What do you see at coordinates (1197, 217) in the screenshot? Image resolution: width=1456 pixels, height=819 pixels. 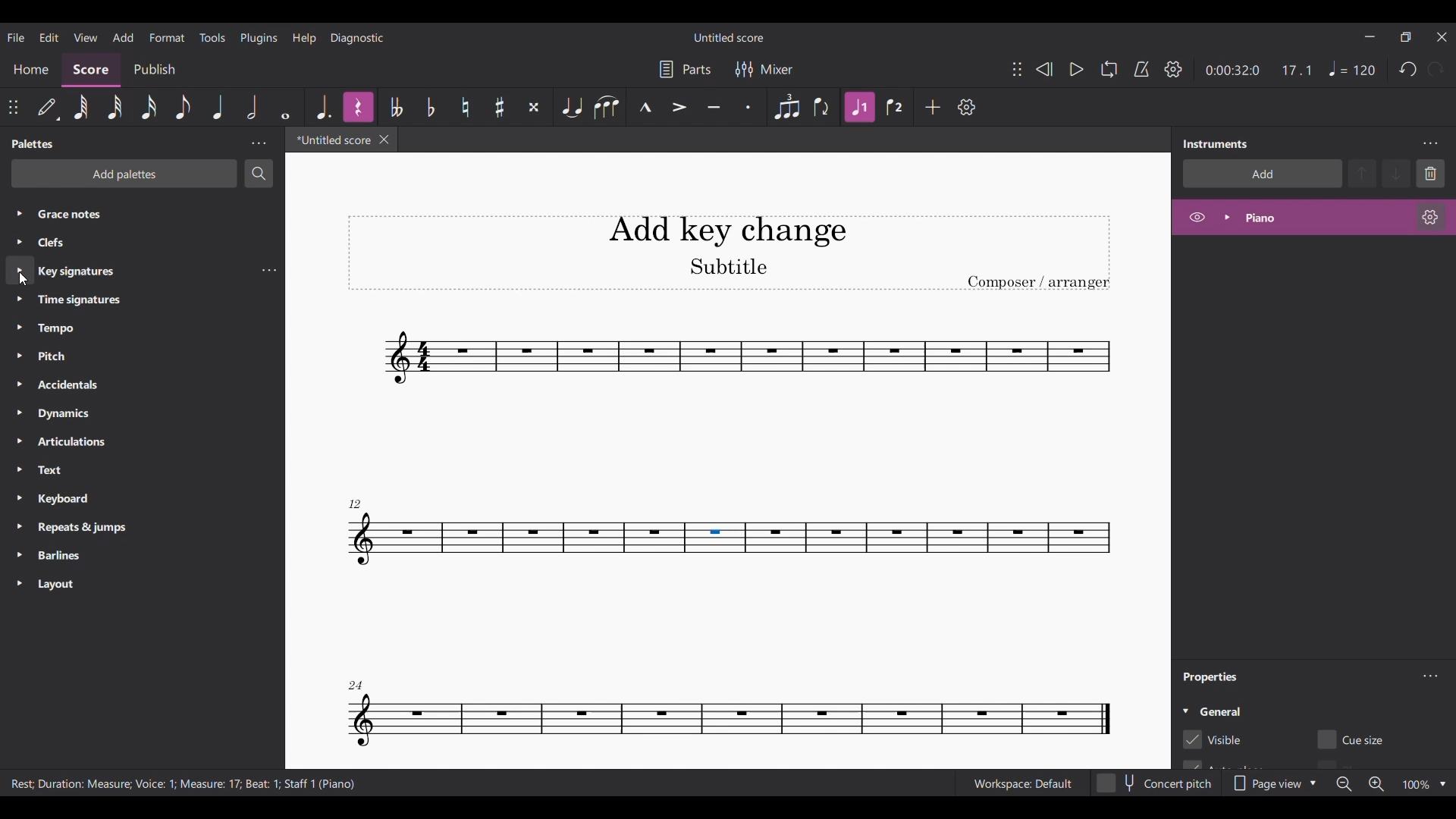 I see `Hide piano` at bounding box center [1197, 217].